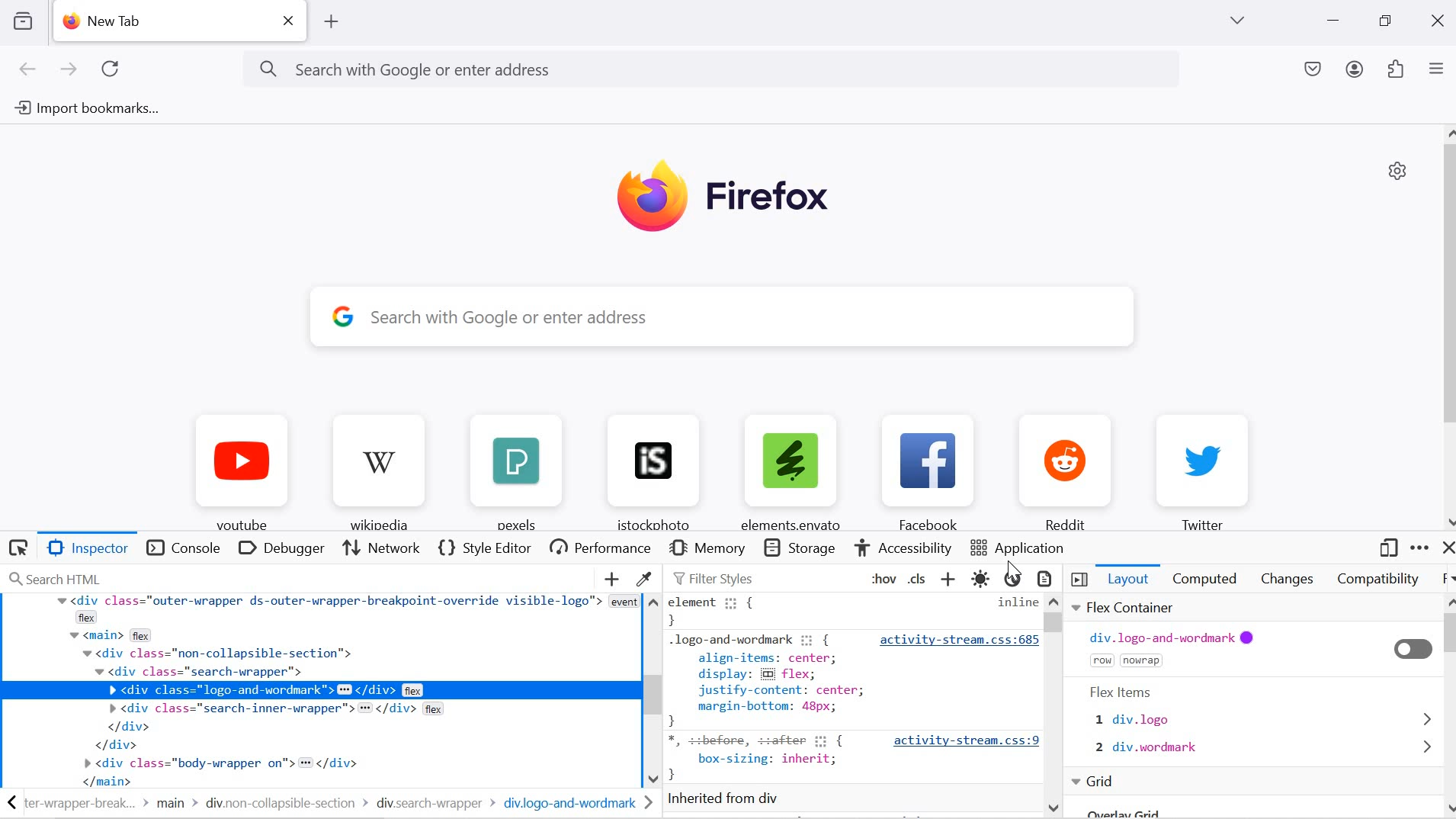 The image size is (1456, 819). Describe the element at coordinates (1447, 634) in the screenshot. I see `scrollbar` at that location.